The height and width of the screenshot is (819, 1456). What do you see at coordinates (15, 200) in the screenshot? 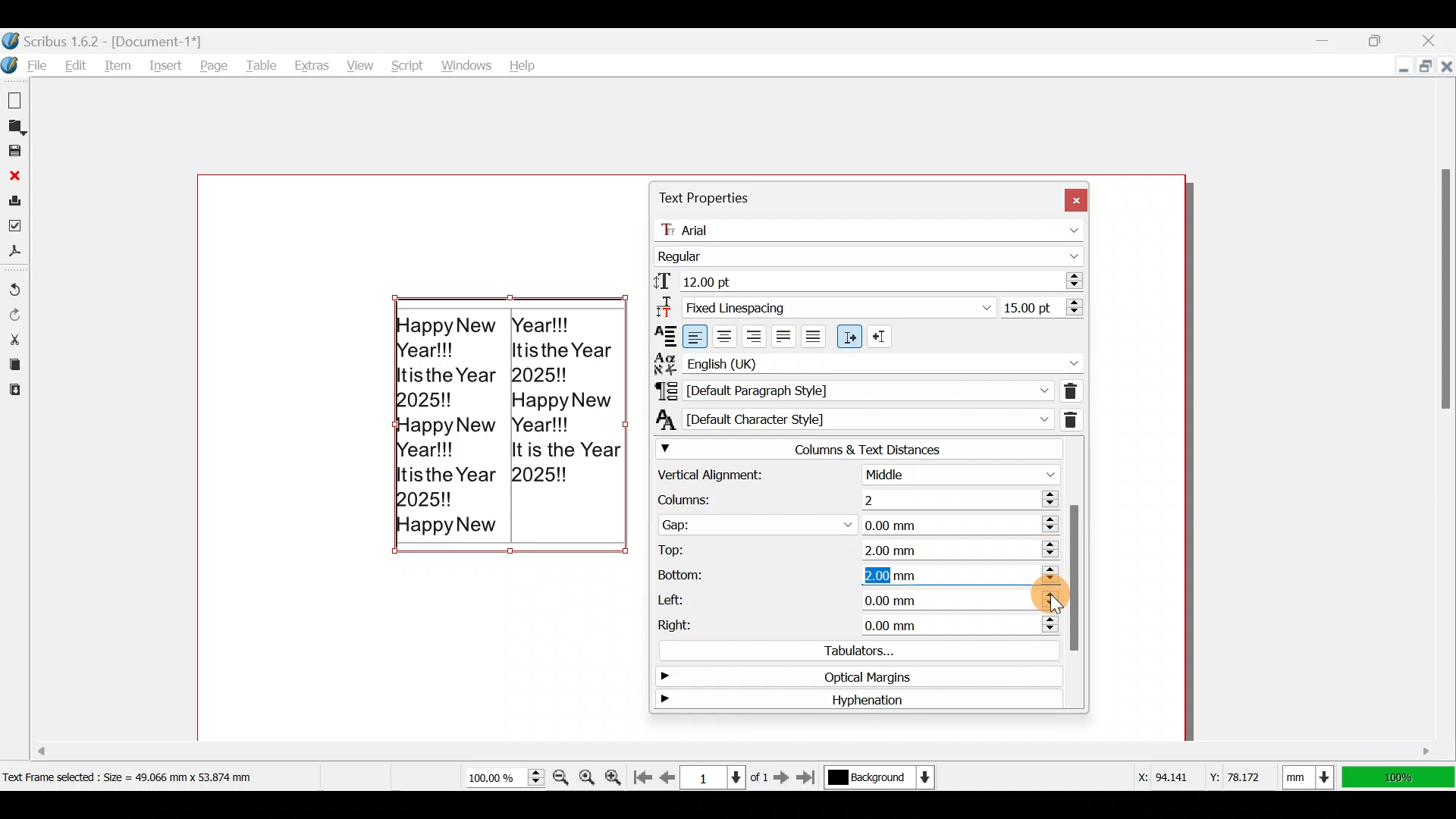
I see `Print` at bounding box center [15, 200].